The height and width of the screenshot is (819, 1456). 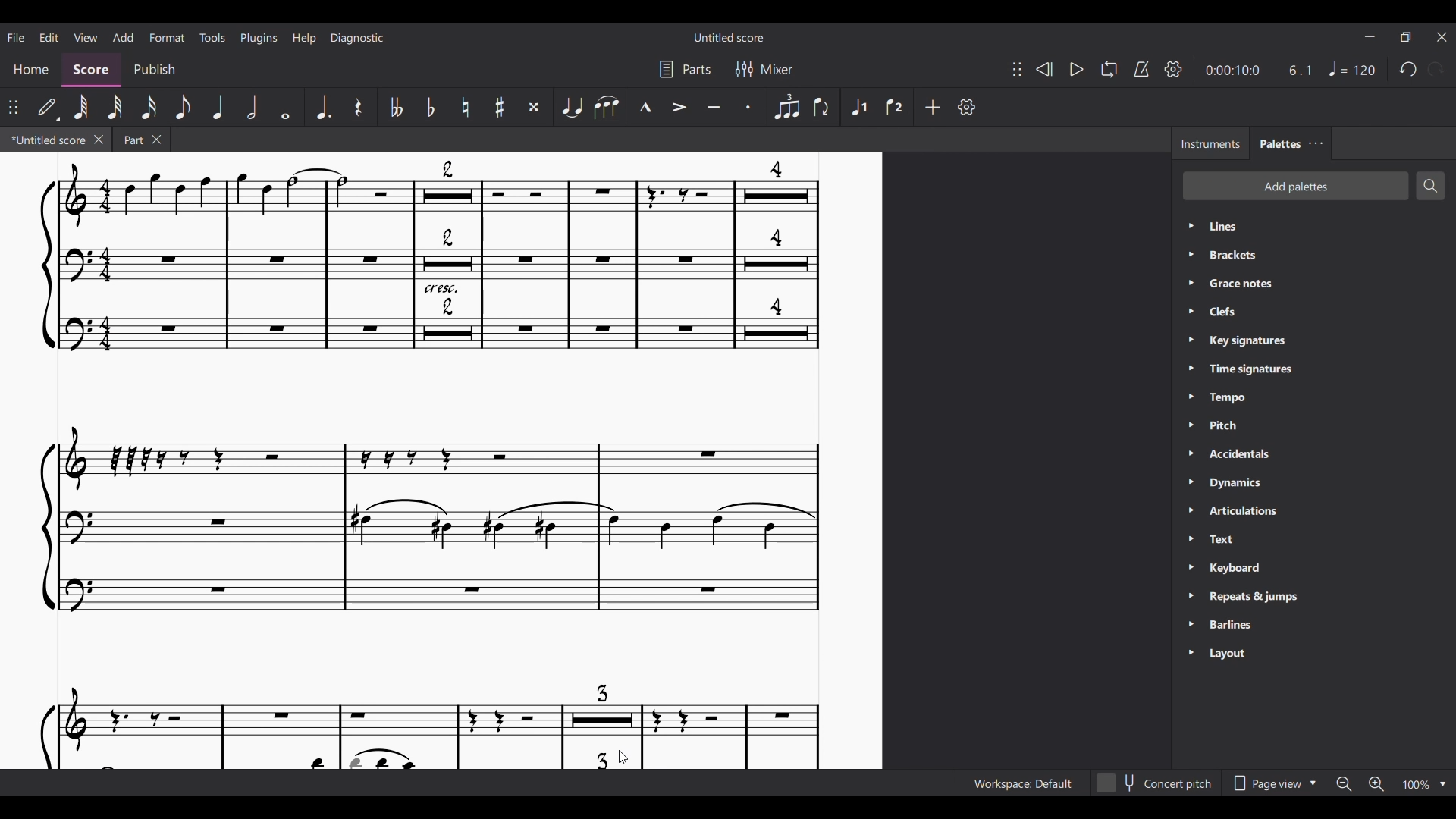 What do you see at coordinates (607, 107) in the screenshot?
I see `Slur` at bounding box center [607, 107].